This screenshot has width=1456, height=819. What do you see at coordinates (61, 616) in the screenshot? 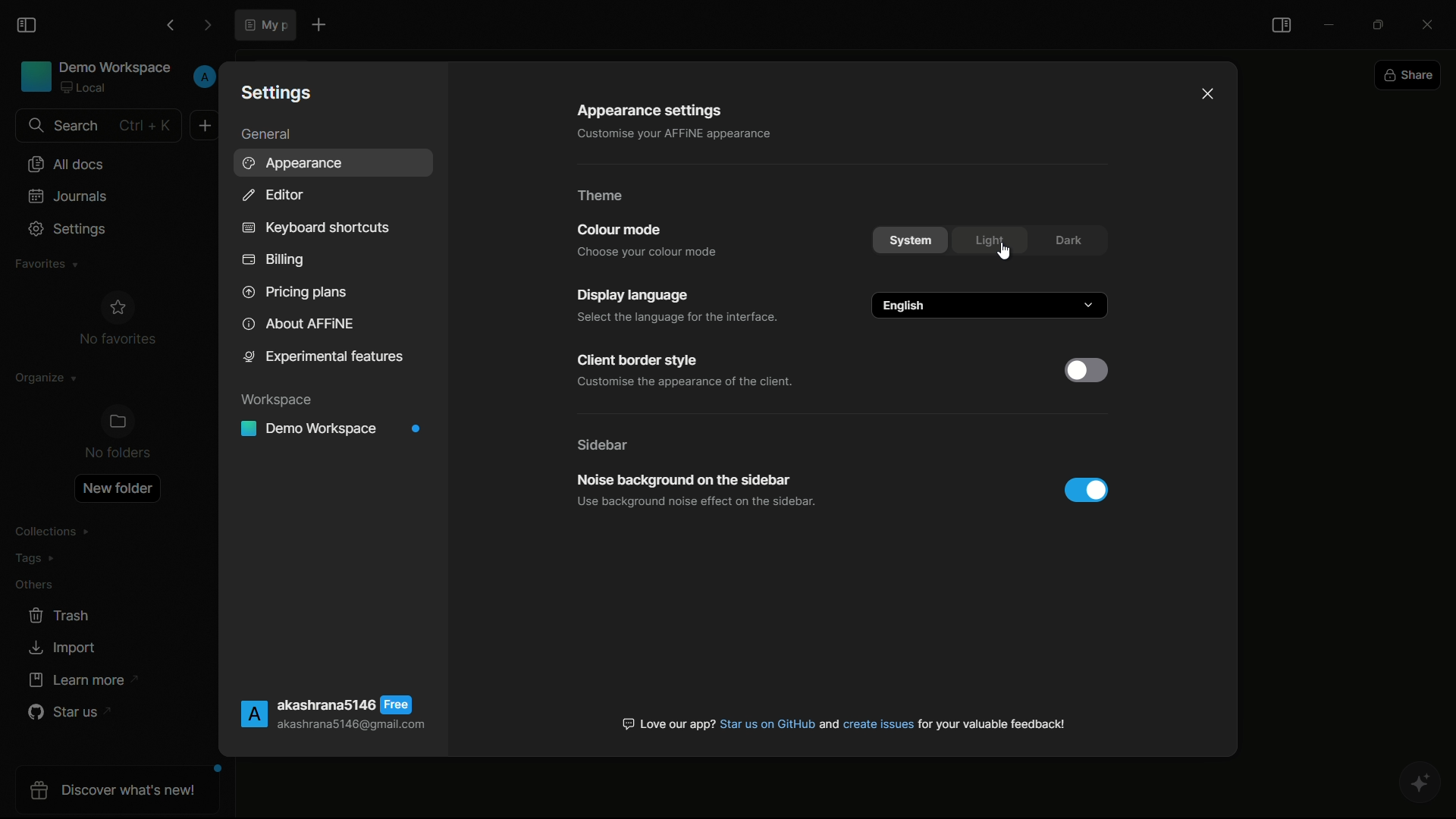
I see `trash` at bounding box center [61, 616].